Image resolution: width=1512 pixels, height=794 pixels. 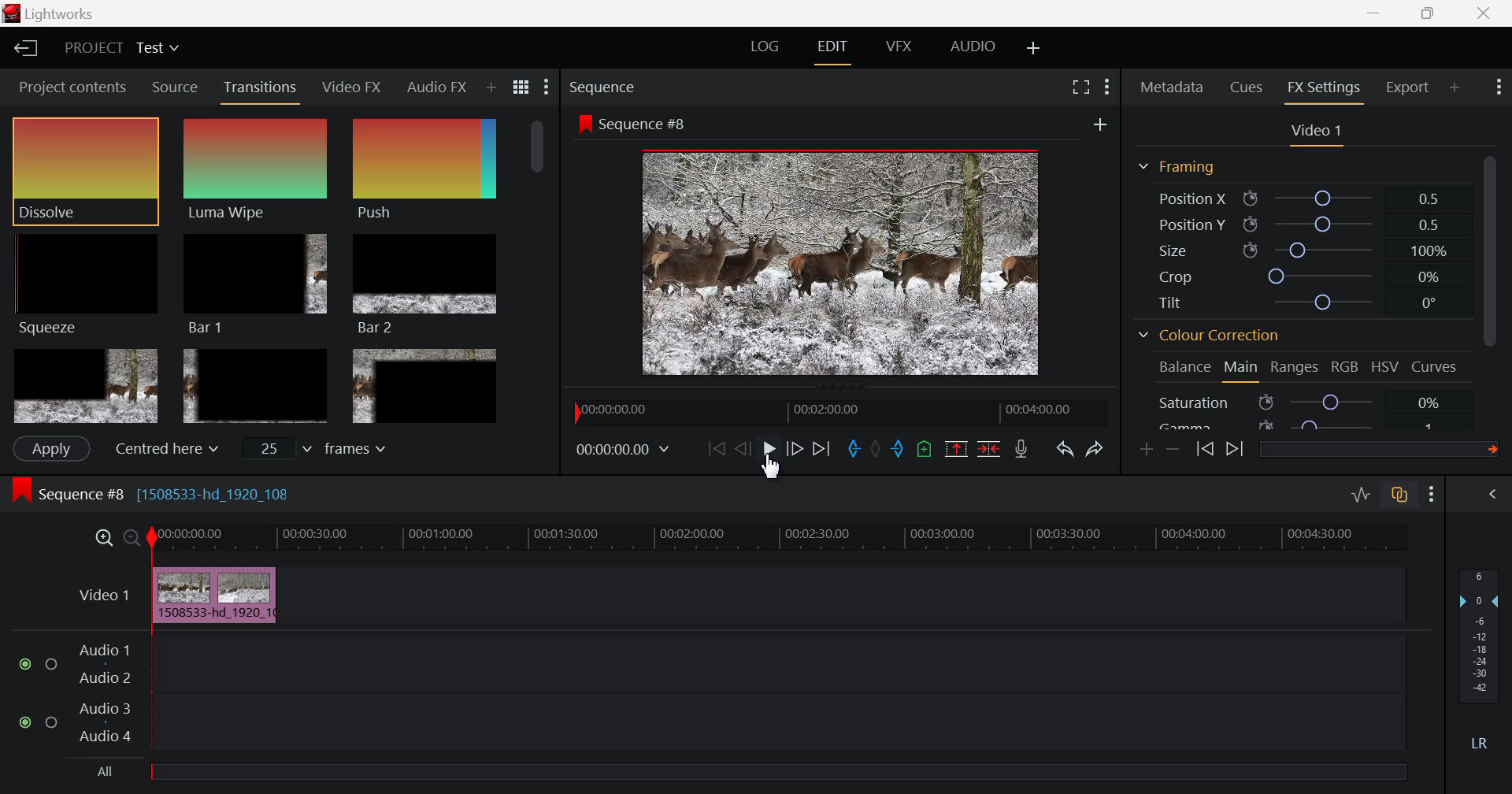 What do you see at coordinates (899, 46) in the screenshot?
I see `VFX` at bounding box center [899, 46].